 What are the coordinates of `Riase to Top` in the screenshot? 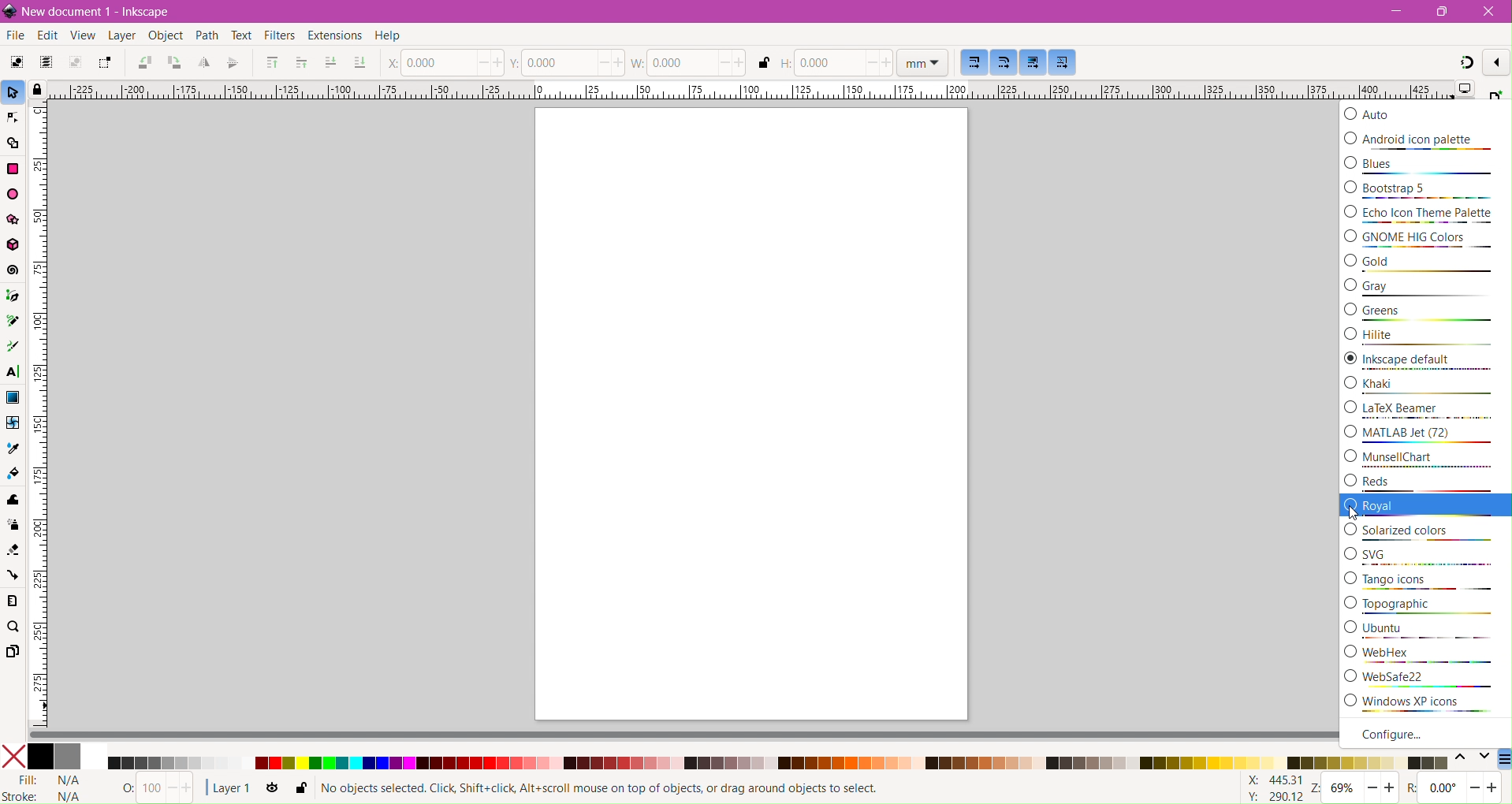 It's located at (270, 65).